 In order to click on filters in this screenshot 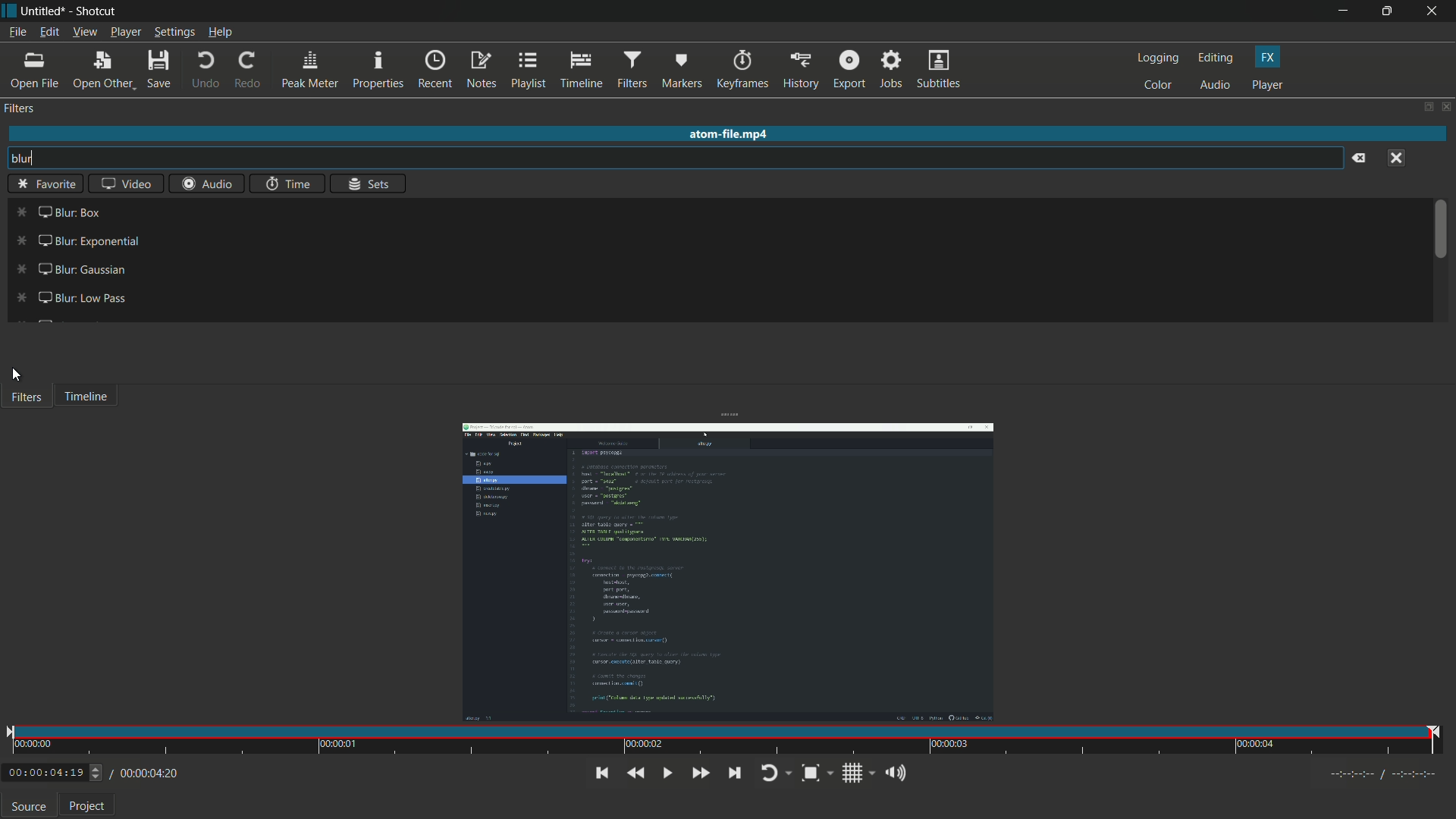, I will do `click(20, 109)`.